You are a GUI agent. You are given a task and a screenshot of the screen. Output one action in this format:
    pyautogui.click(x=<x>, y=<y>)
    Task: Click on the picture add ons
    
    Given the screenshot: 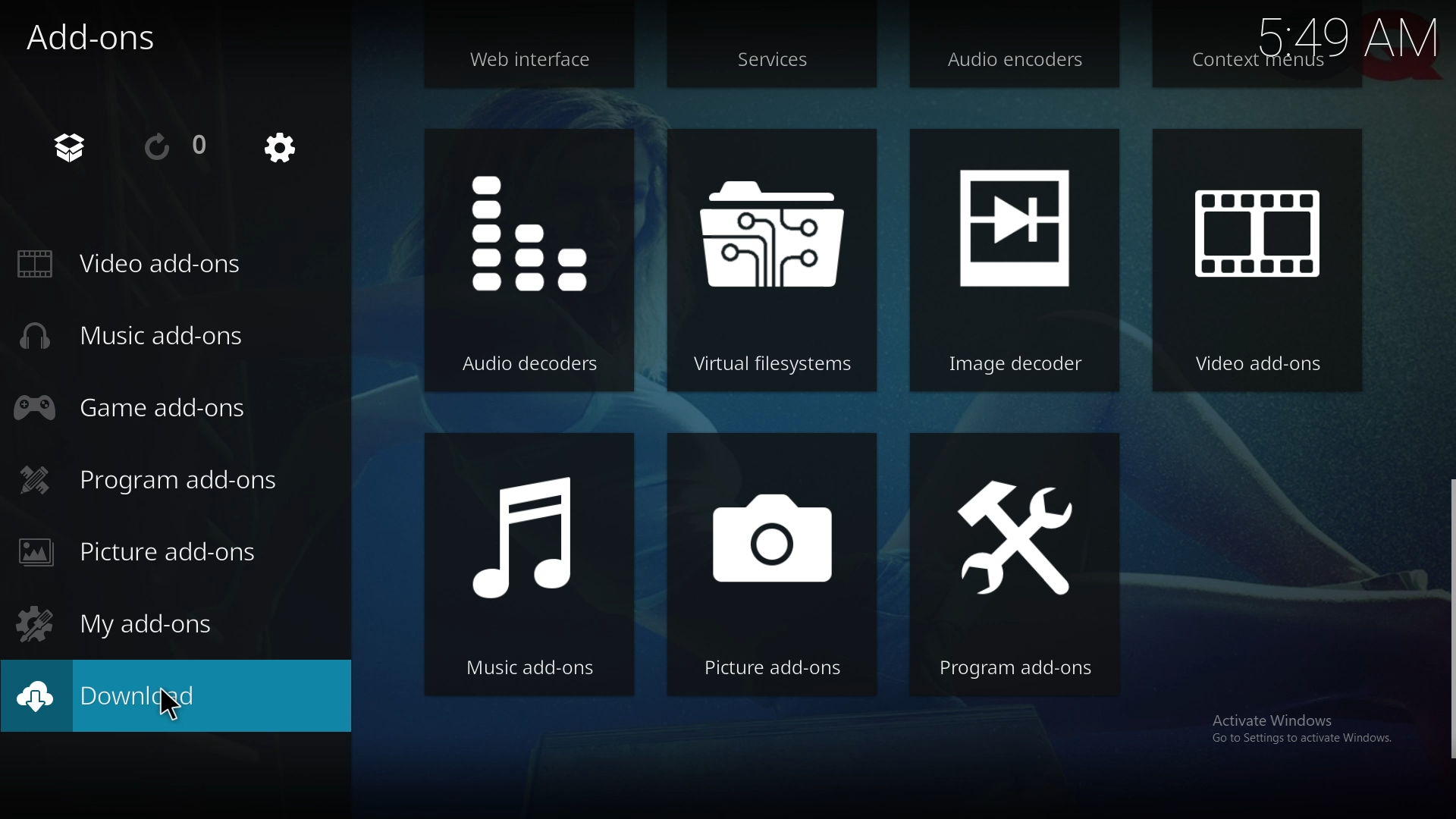 What is the action you would take?
    pyautogui.click(x=150, y=552)
    